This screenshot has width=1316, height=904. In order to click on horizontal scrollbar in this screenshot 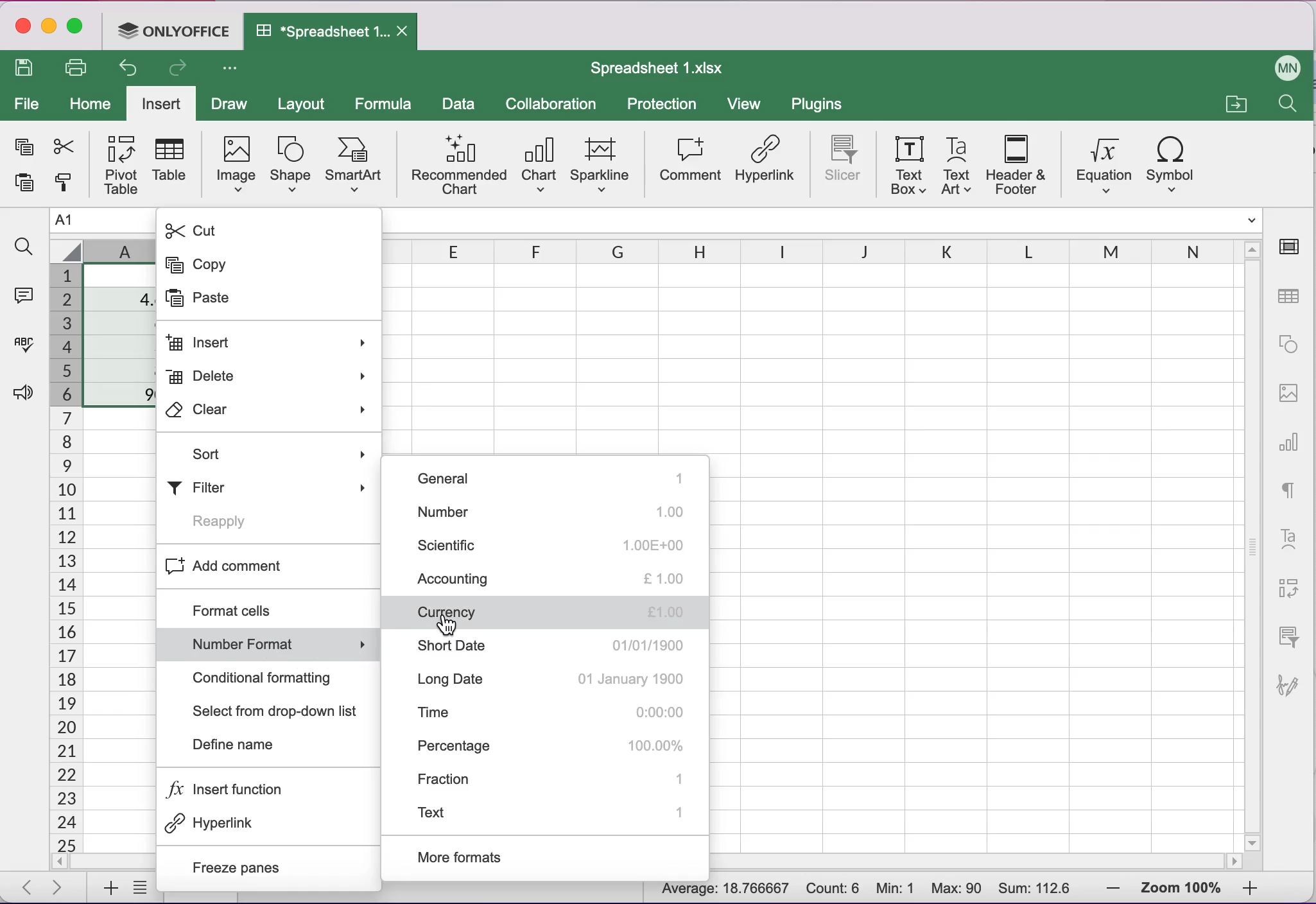, I will do `click(973, 864)`.